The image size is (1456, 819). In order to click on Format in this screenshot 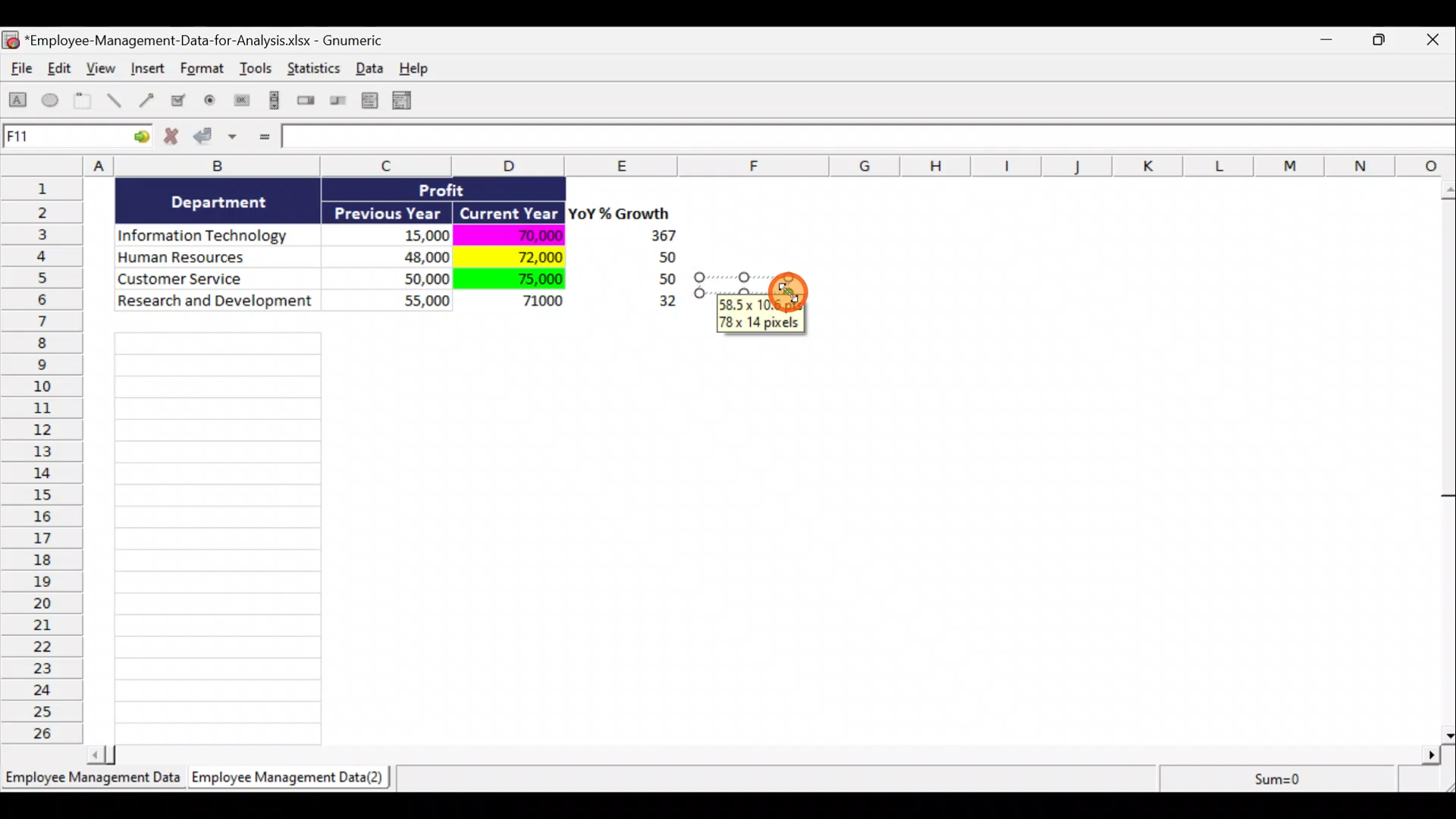, I will do `click(204, 71)`.